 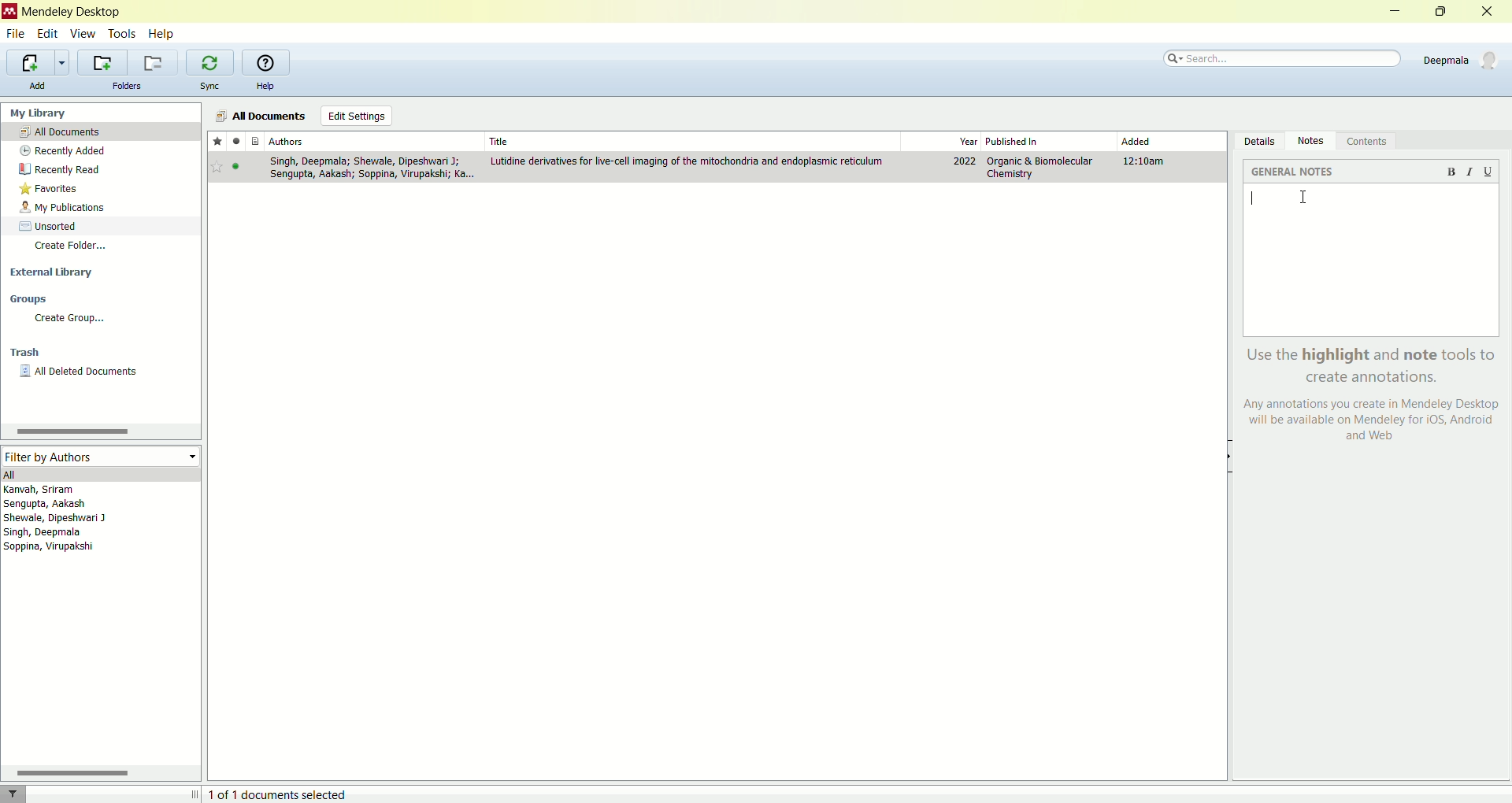 I want to click on Authors, so click(x=372, y=141).